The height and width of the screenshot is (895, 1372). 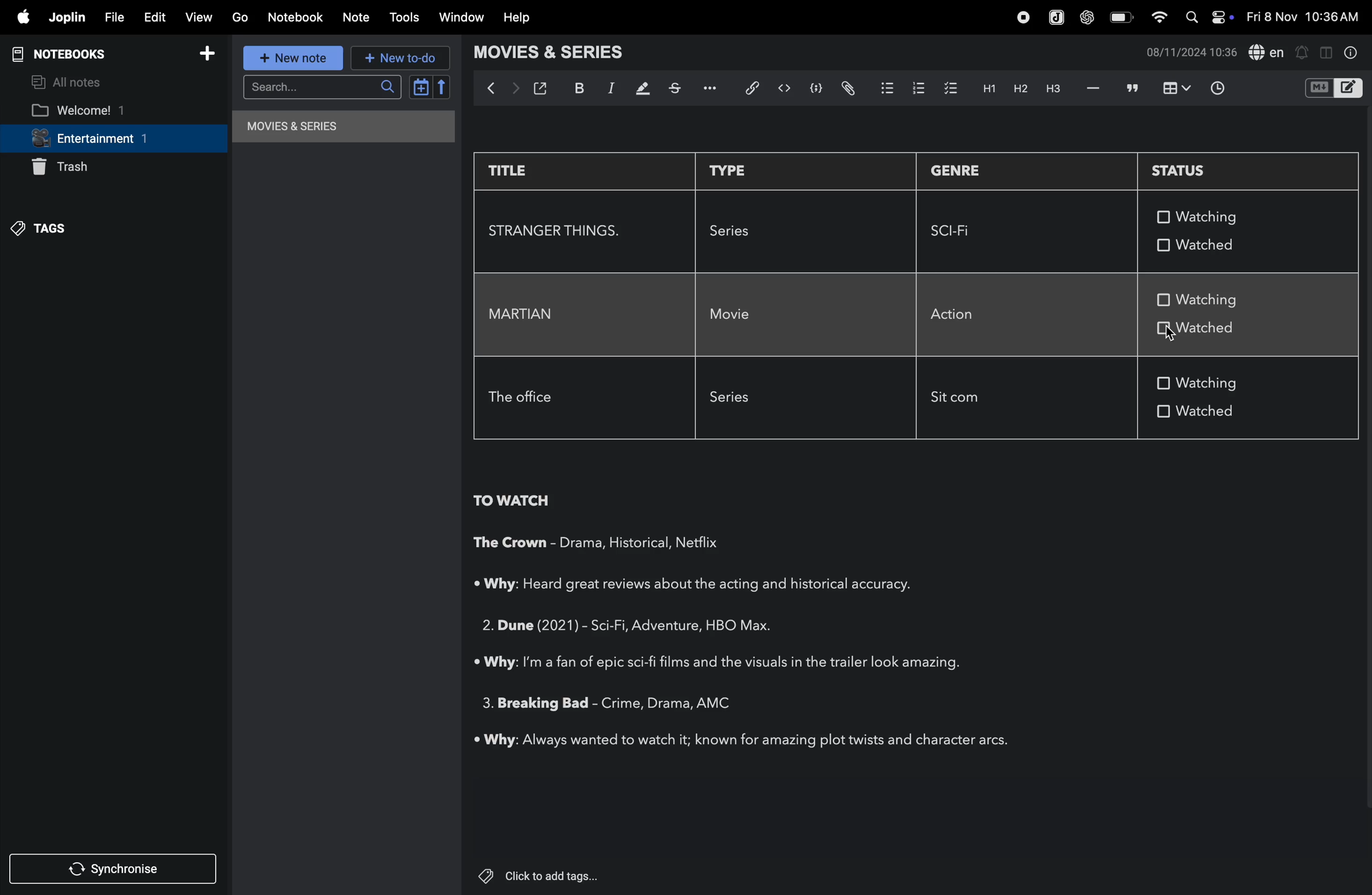 I want to click on wifi, so click(x=1162, y=20).